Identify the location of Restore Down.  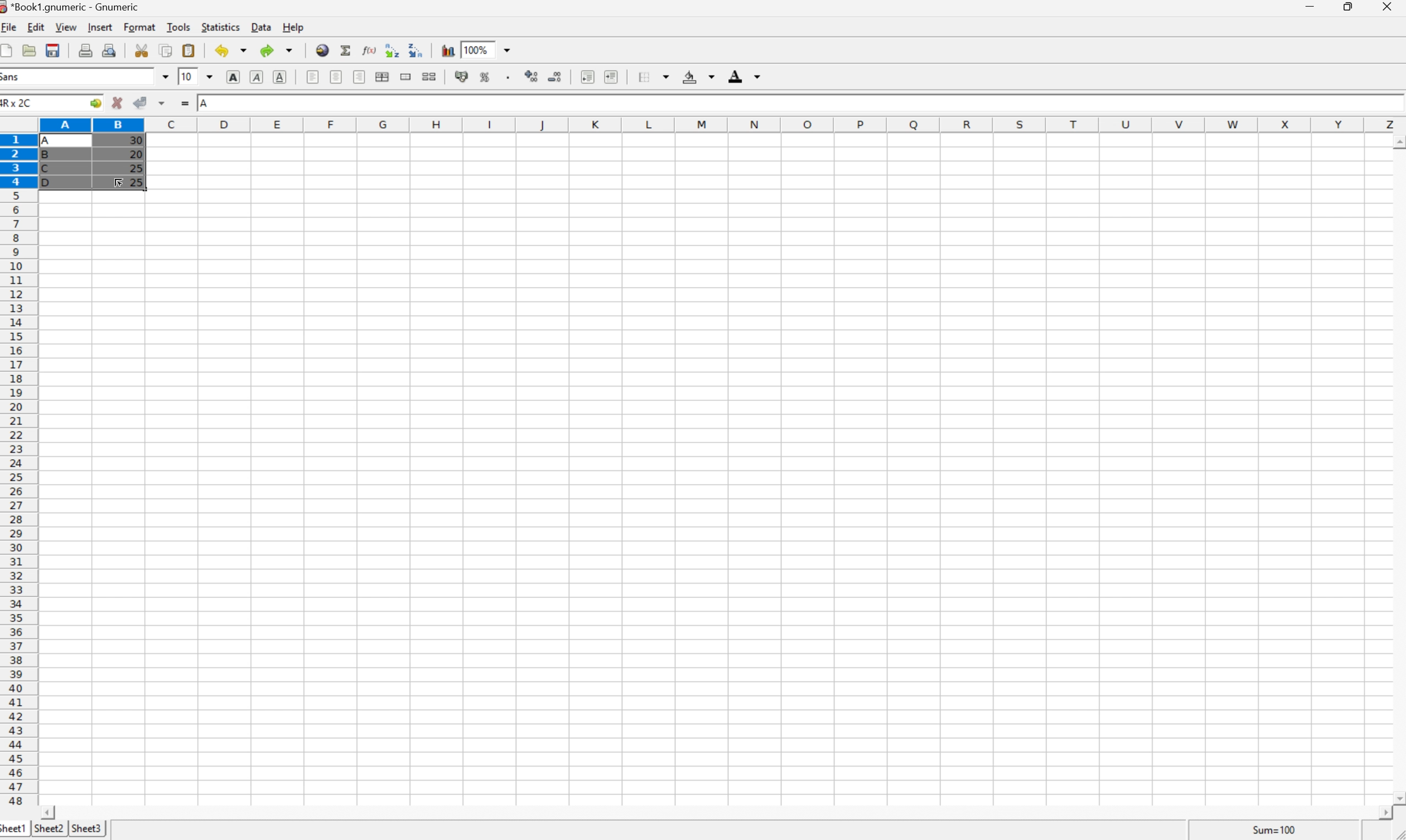
(1351, 6).